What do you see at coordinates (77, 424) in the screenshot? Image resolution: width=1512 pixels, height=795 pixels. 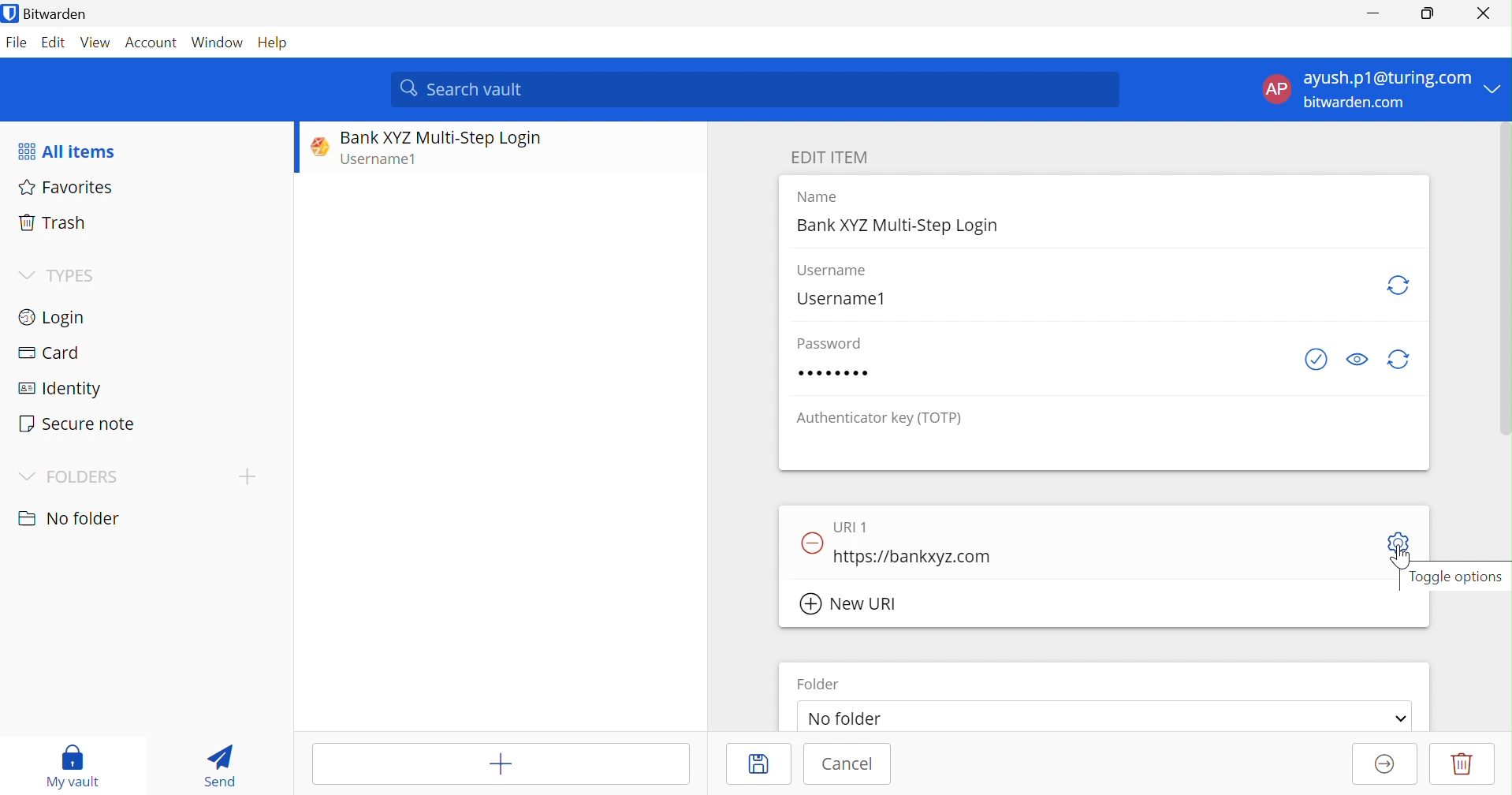 I see `Secure note` at bounding box center [77, 424].